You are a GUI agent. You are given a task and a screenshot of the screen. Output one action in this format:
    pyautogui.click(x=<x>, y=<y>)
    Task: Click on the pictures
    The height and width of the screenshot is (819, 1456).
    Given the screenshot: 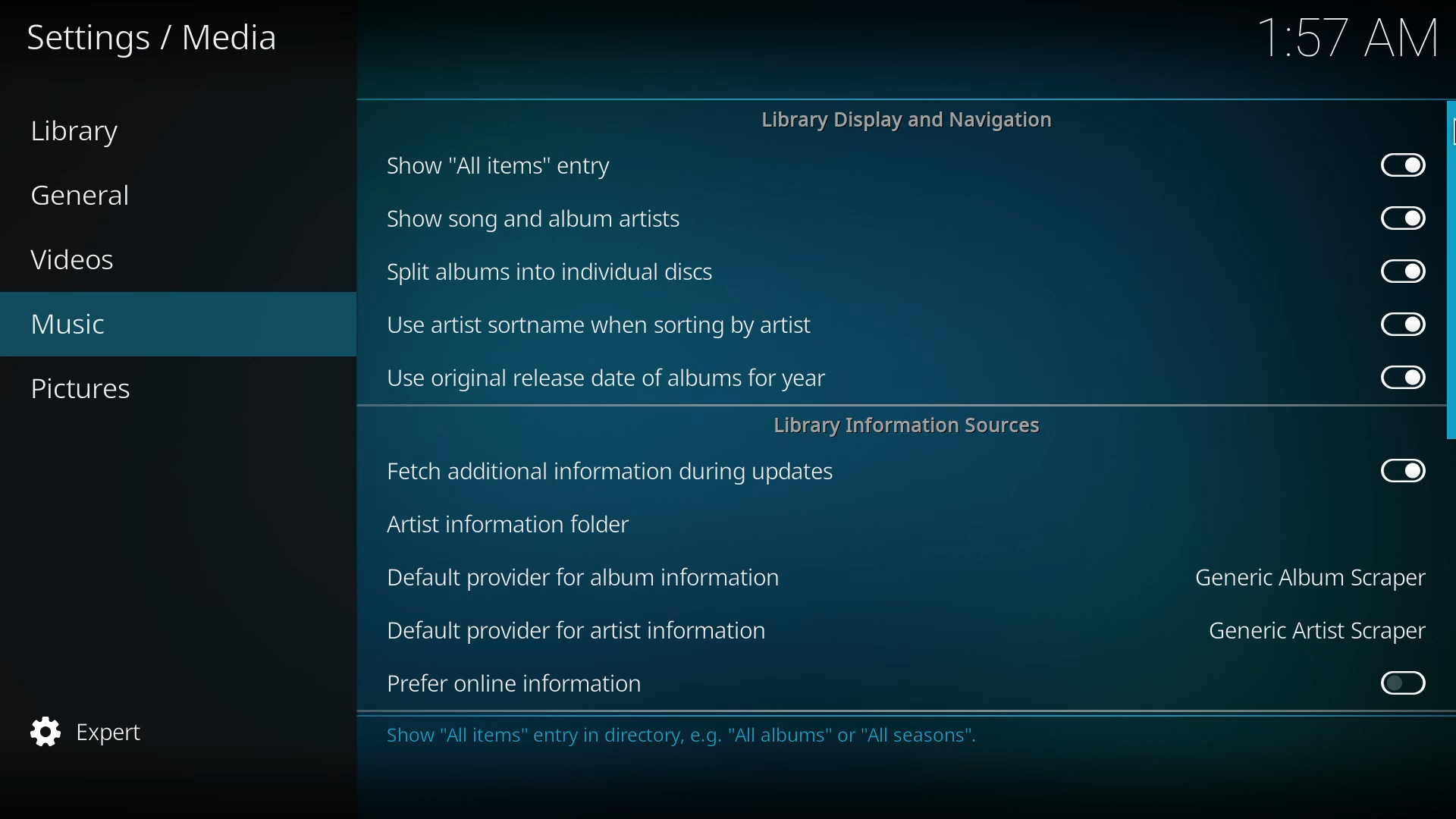 What is the action you would take?
    pyautogui.click(x=89, y=390)
    